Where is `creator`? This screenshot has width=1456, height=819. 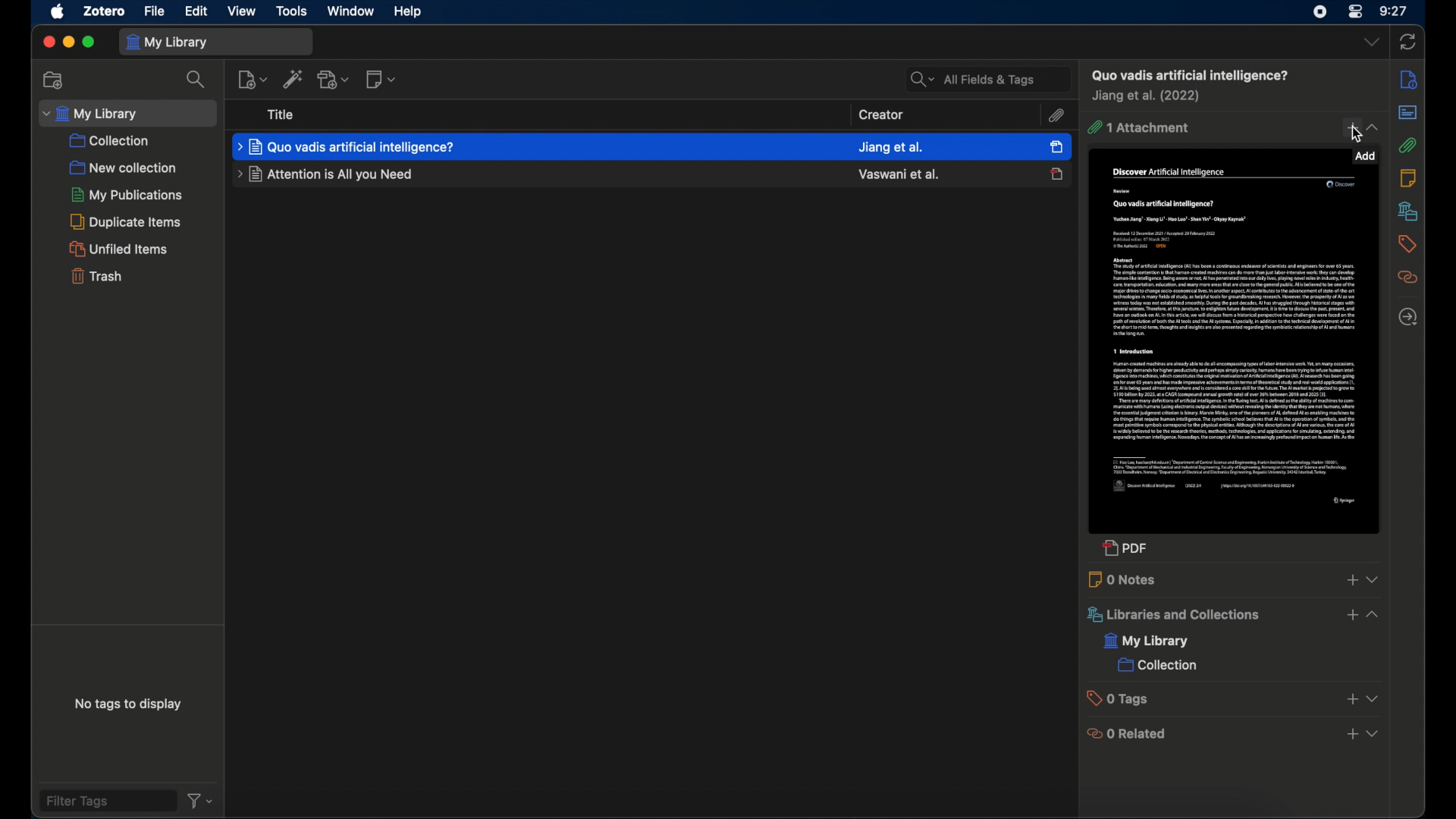 creator is located at coordinates (898, 174).